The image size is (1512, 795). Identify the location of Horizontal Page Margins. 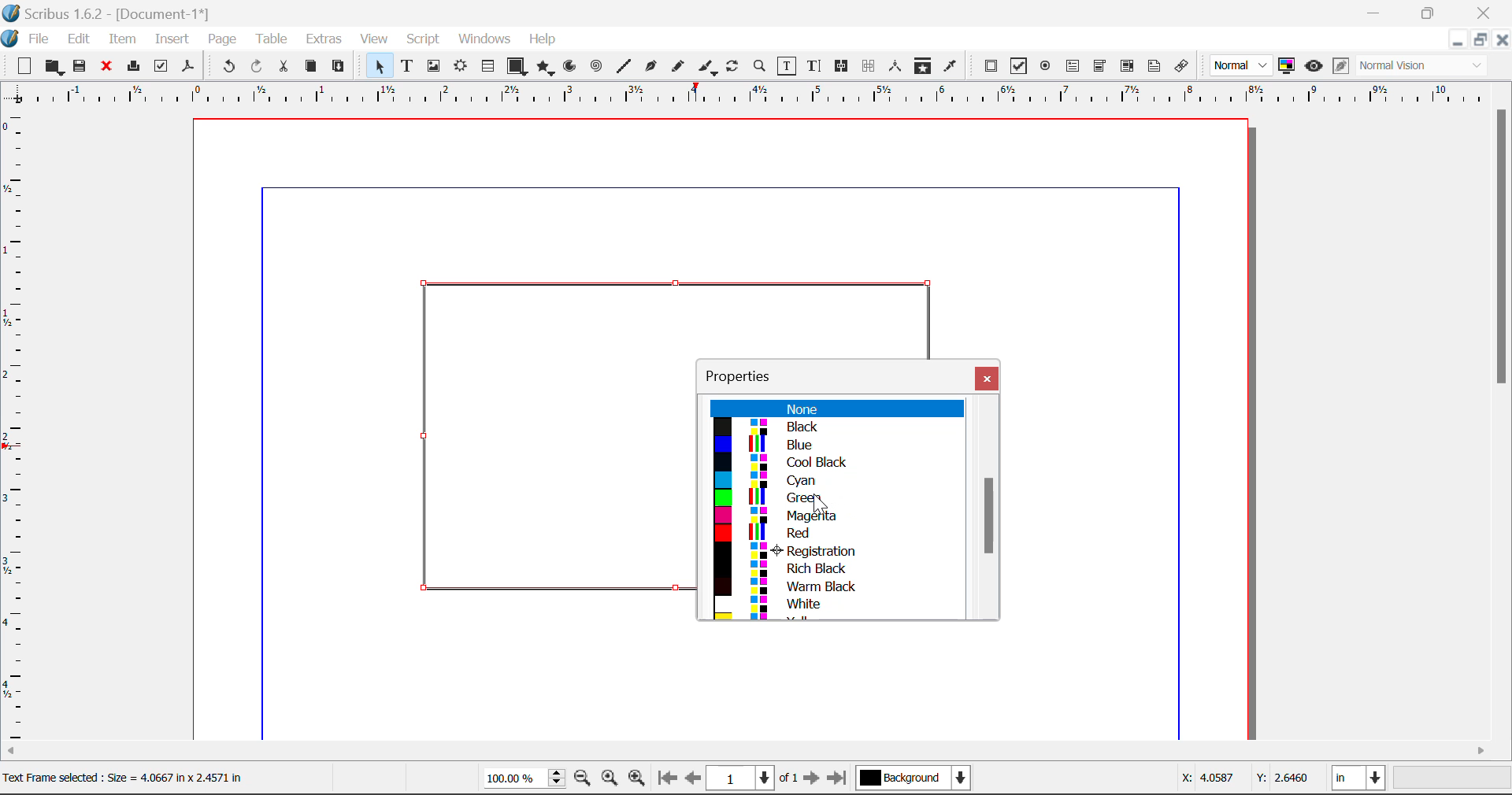
(17, 427).